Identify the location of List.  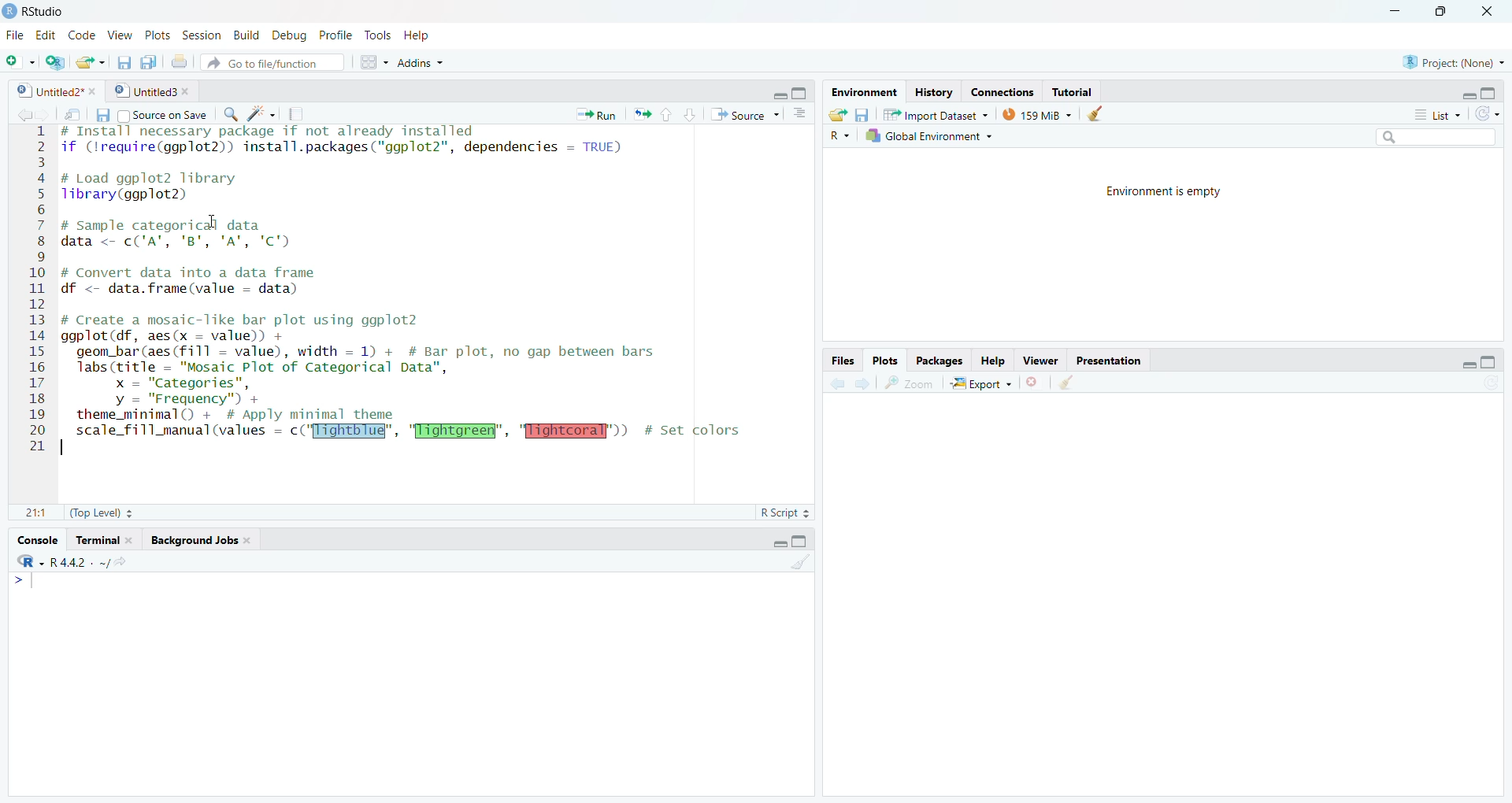
(1435, 113).